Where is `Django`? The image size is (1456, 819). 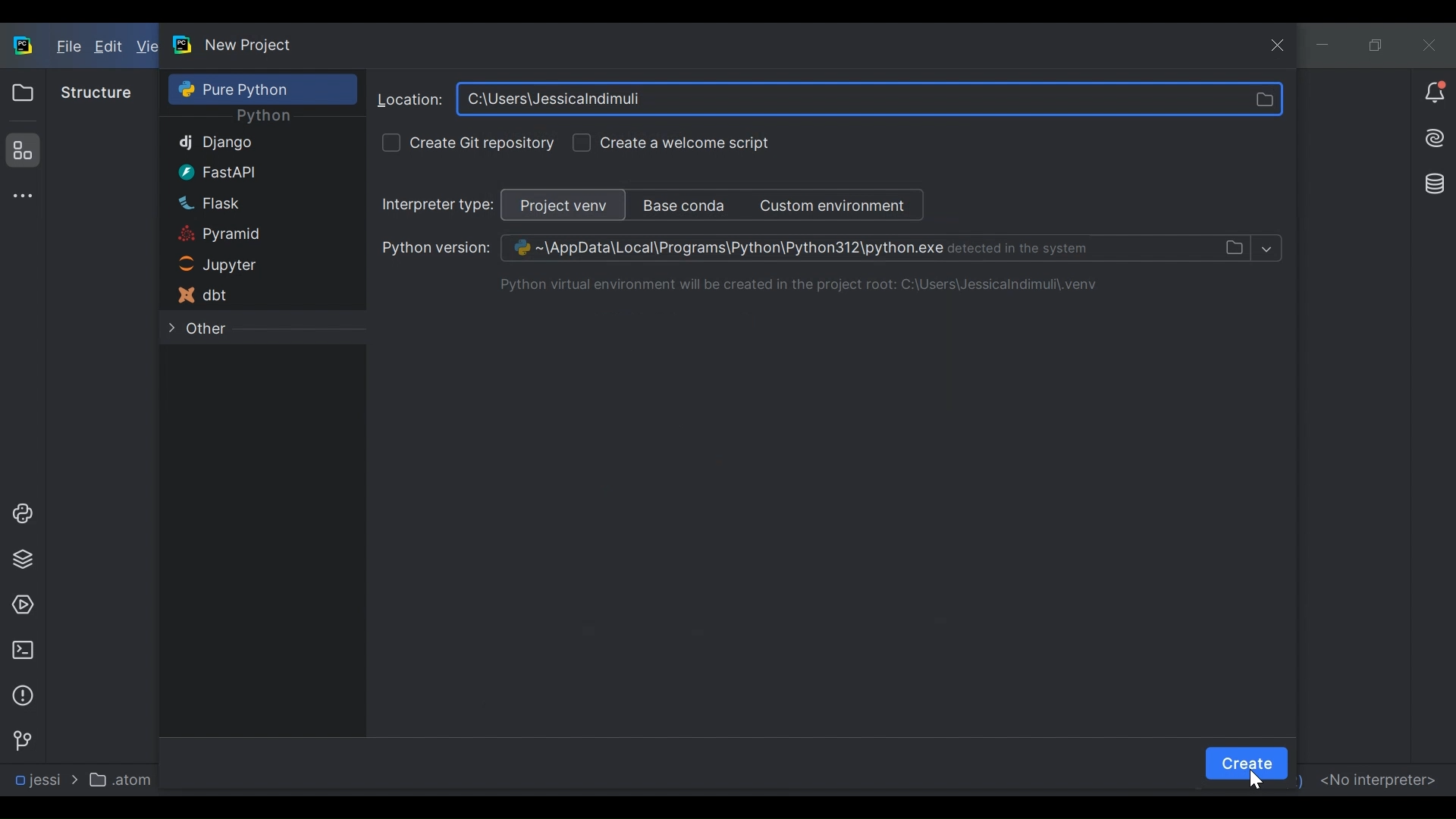 Django is located at coordinates (243, 144).